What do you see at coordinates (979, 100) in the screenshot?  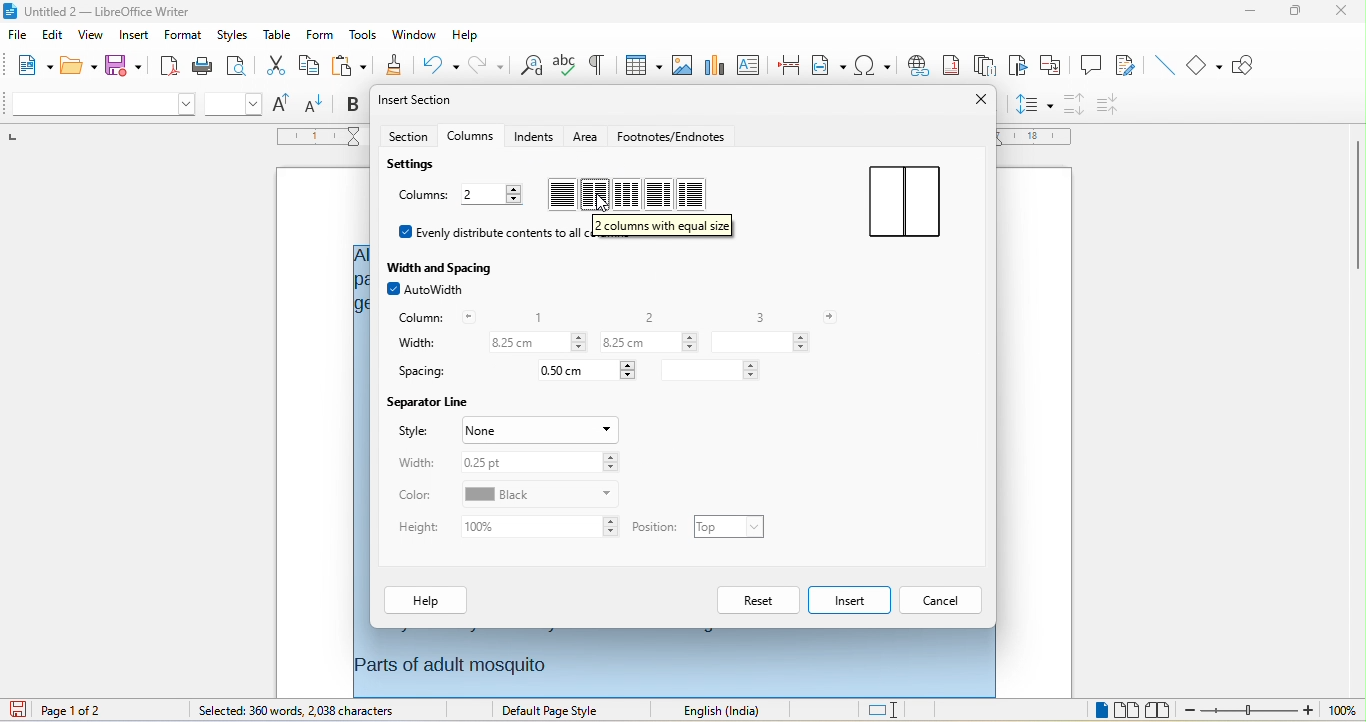 I see `close` at bounding box center [979, 100].